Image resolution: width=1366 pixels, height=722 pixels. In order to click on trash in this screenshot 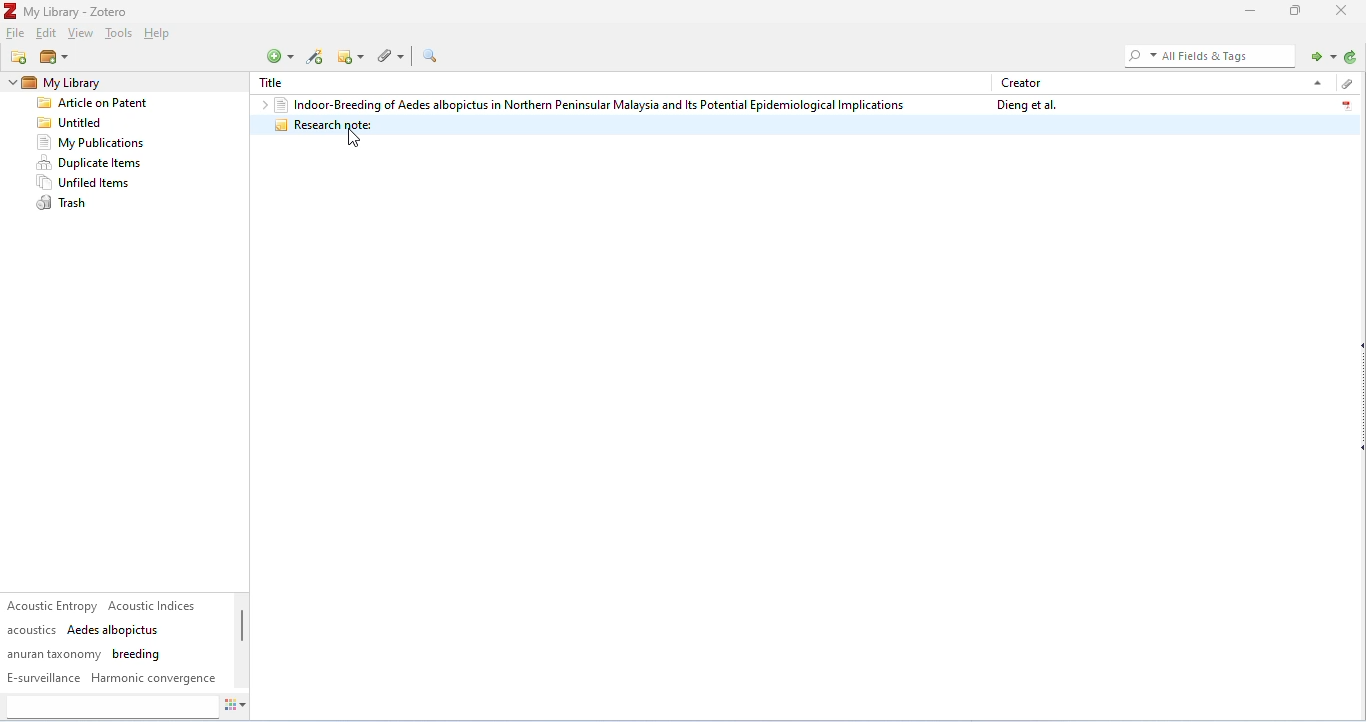, I will do `click(65, 204)`.